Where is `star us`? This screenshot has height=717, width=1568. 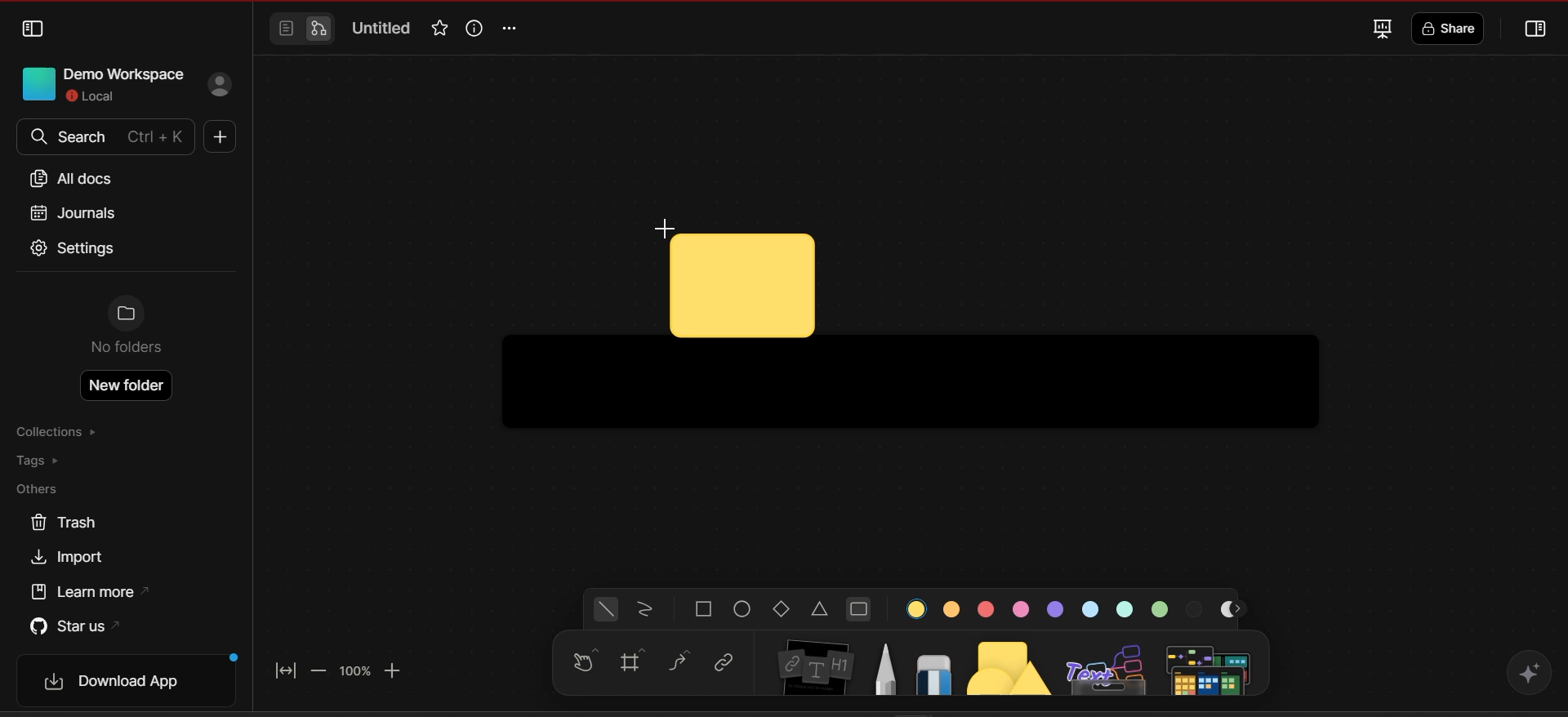
star us is located at coordinates (73, 625).